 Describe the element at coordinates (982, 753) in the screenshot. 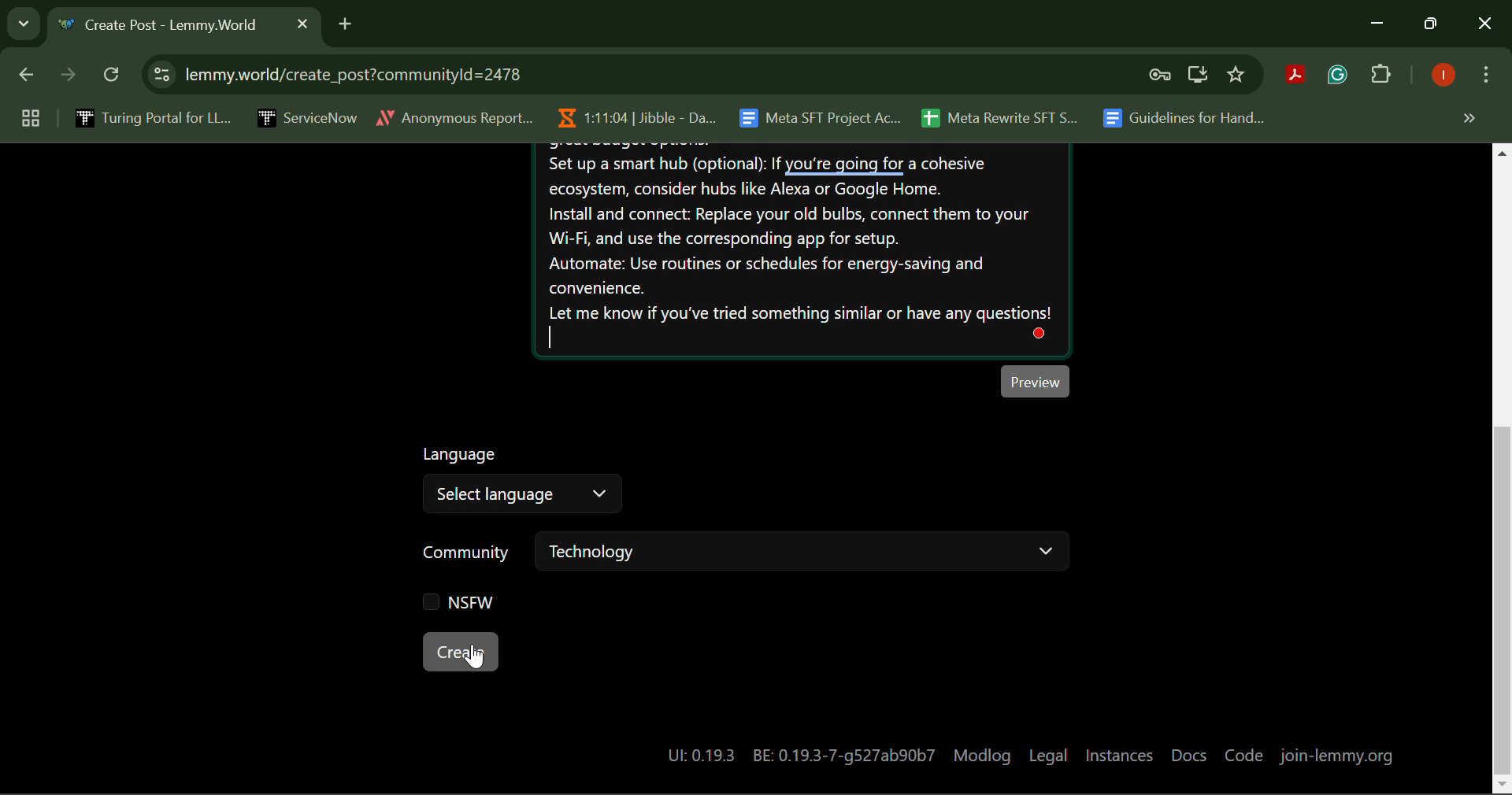

I see `Modlog` at that location.